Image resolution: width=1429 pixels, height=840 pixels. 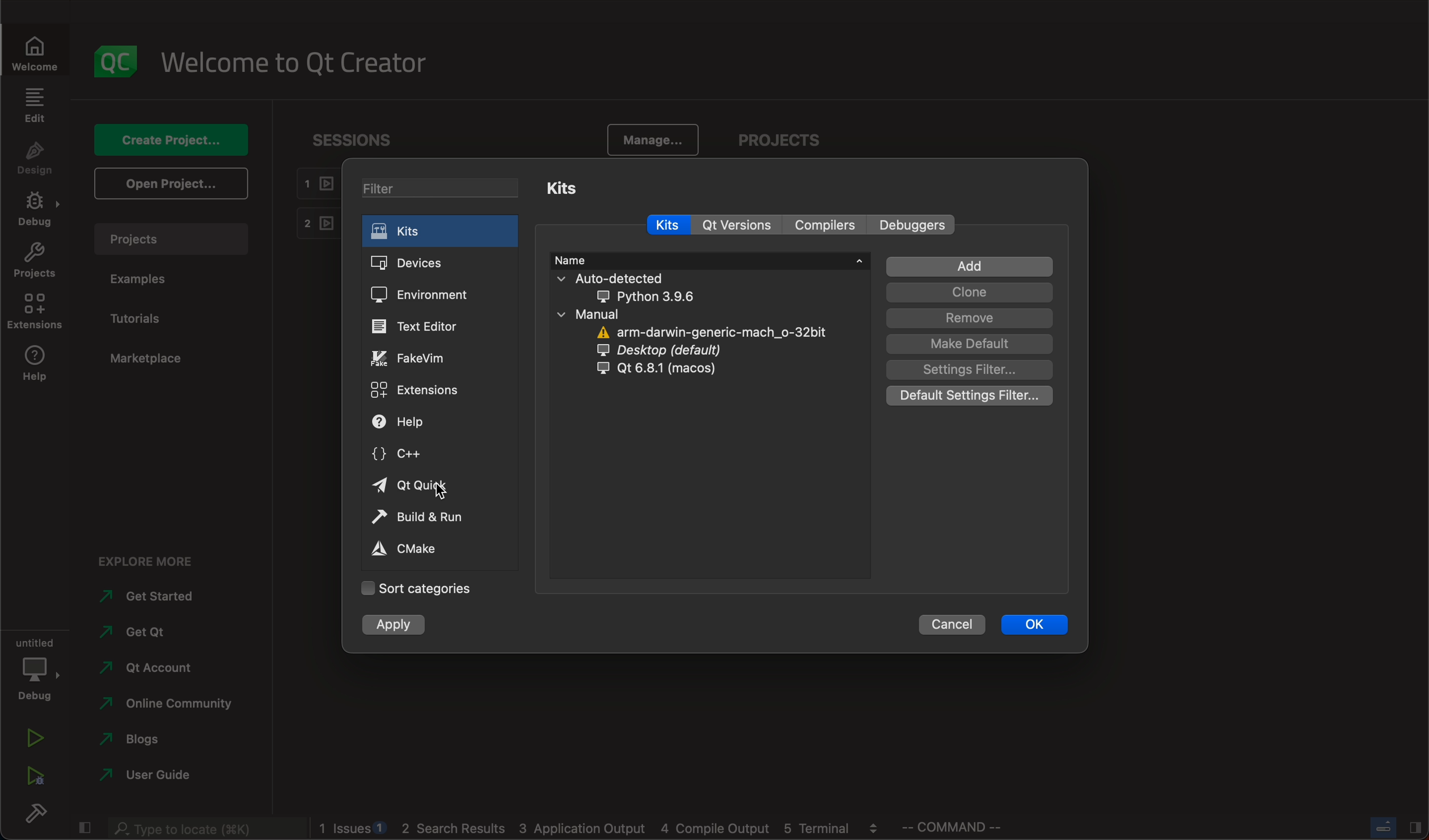 What do you see at coordinates (967, 318) in the screenshot?
I see `remove` at bounding box center [967, 318].